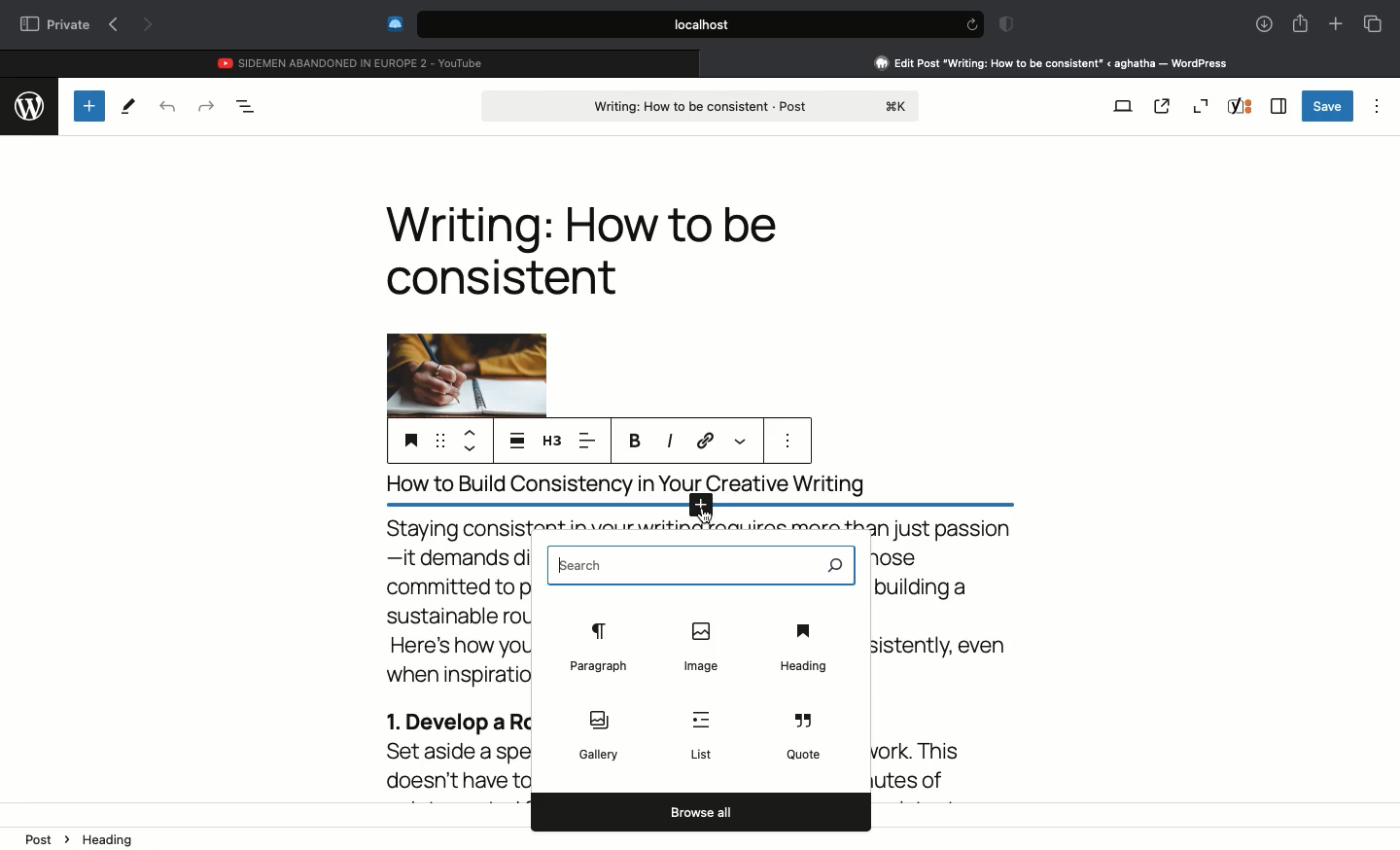 The width and height of the screenshot is (1400, 850). Describe the element at coordinates (1241, 106) in the screenshot. I see `Yoast` at that location.